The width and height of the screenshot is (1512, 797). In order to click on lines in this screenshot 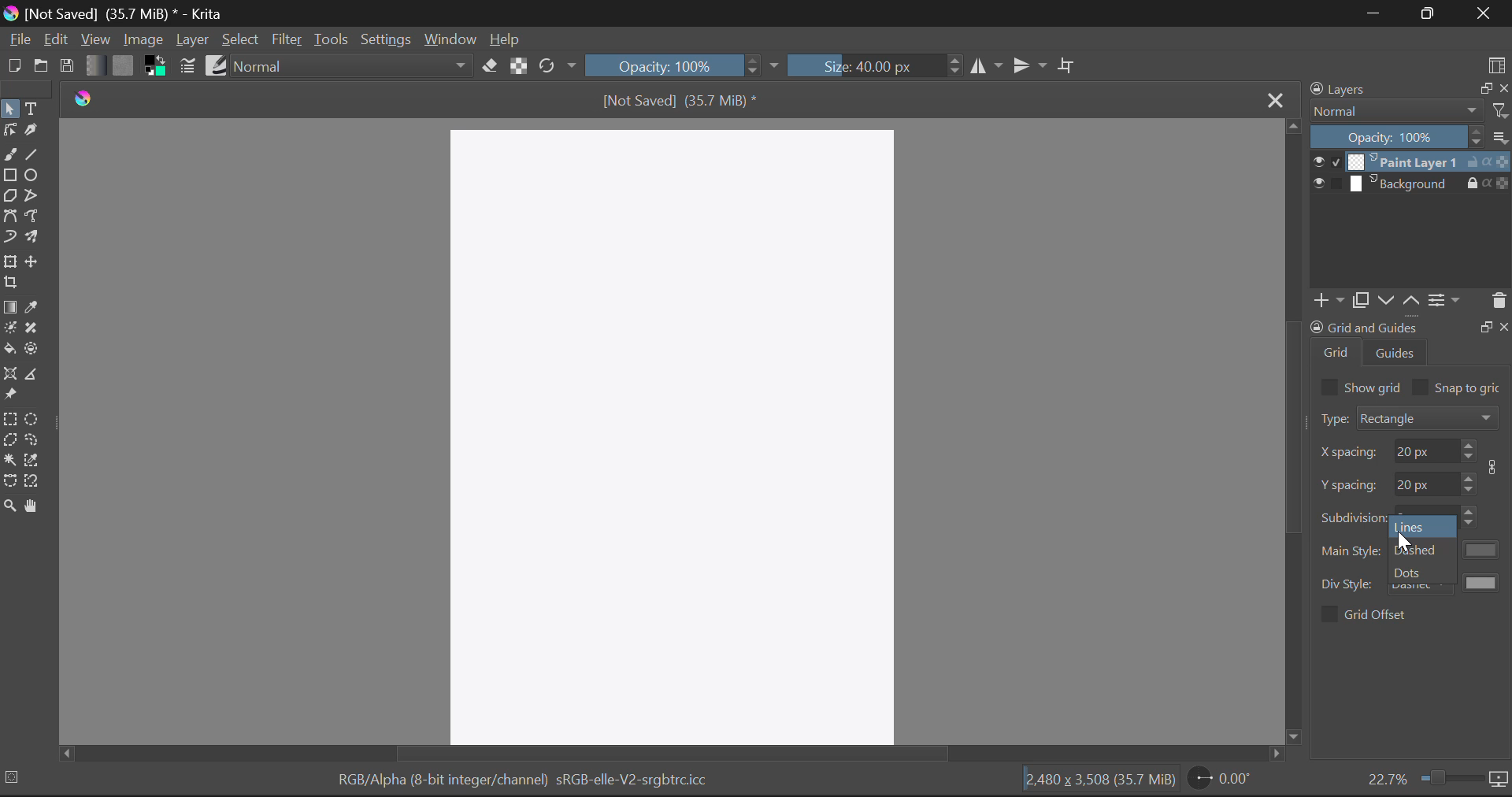, I will do `click(1414, 527)`.